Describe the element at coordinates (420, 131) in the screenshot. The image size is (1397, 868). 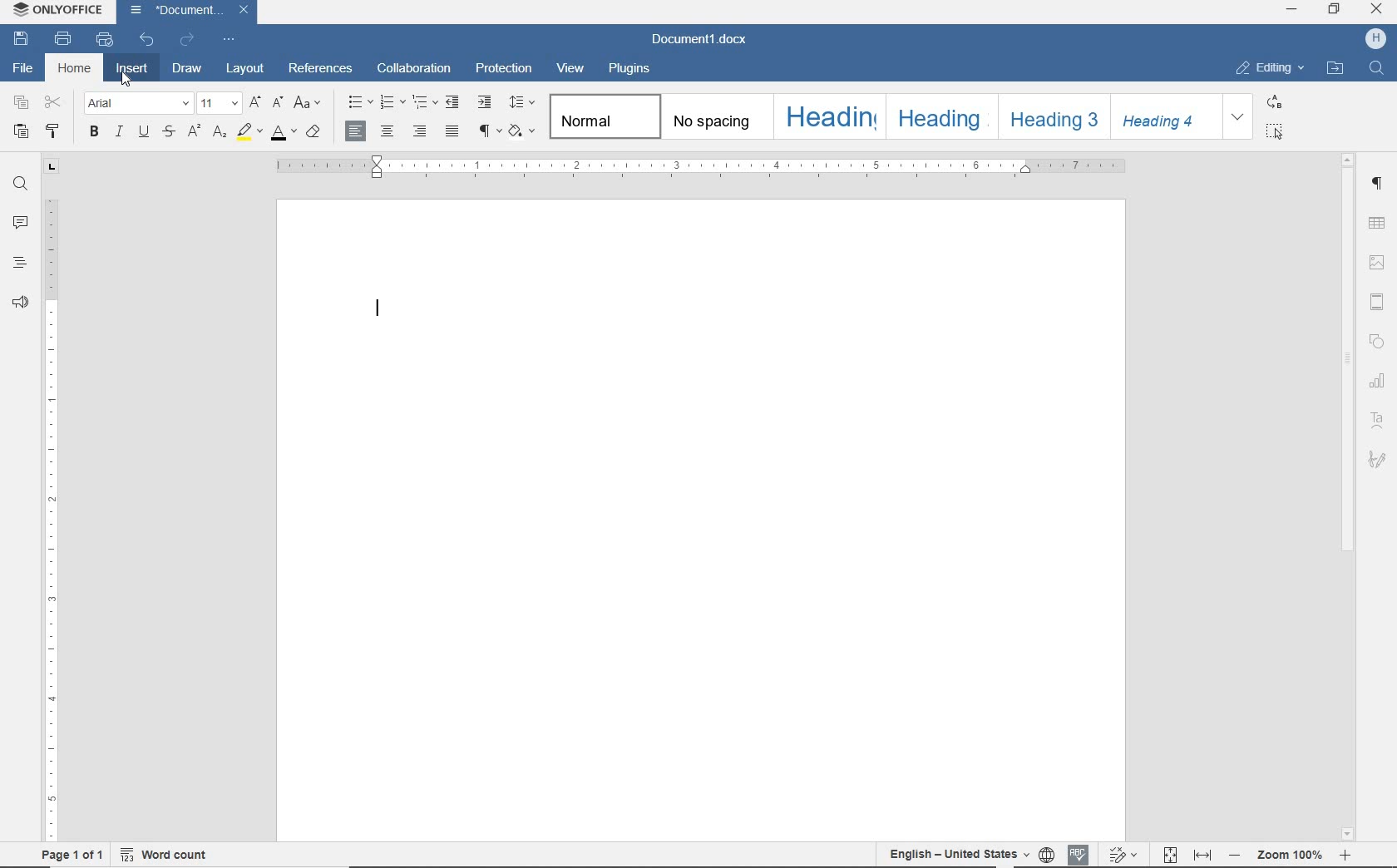
I see `align right` at that location.